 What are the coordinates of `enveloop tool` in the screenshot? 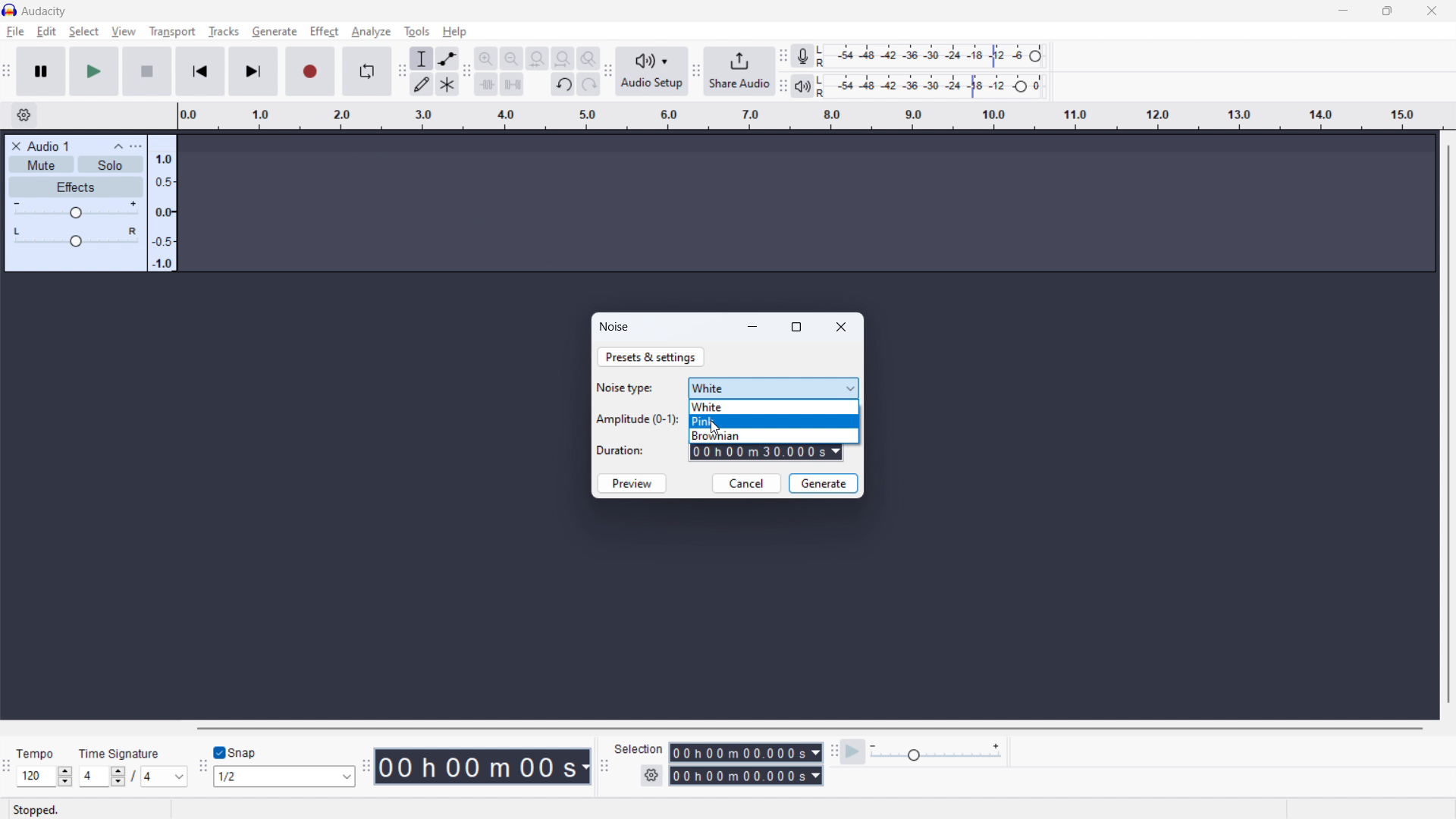 It's located at (447, 58).